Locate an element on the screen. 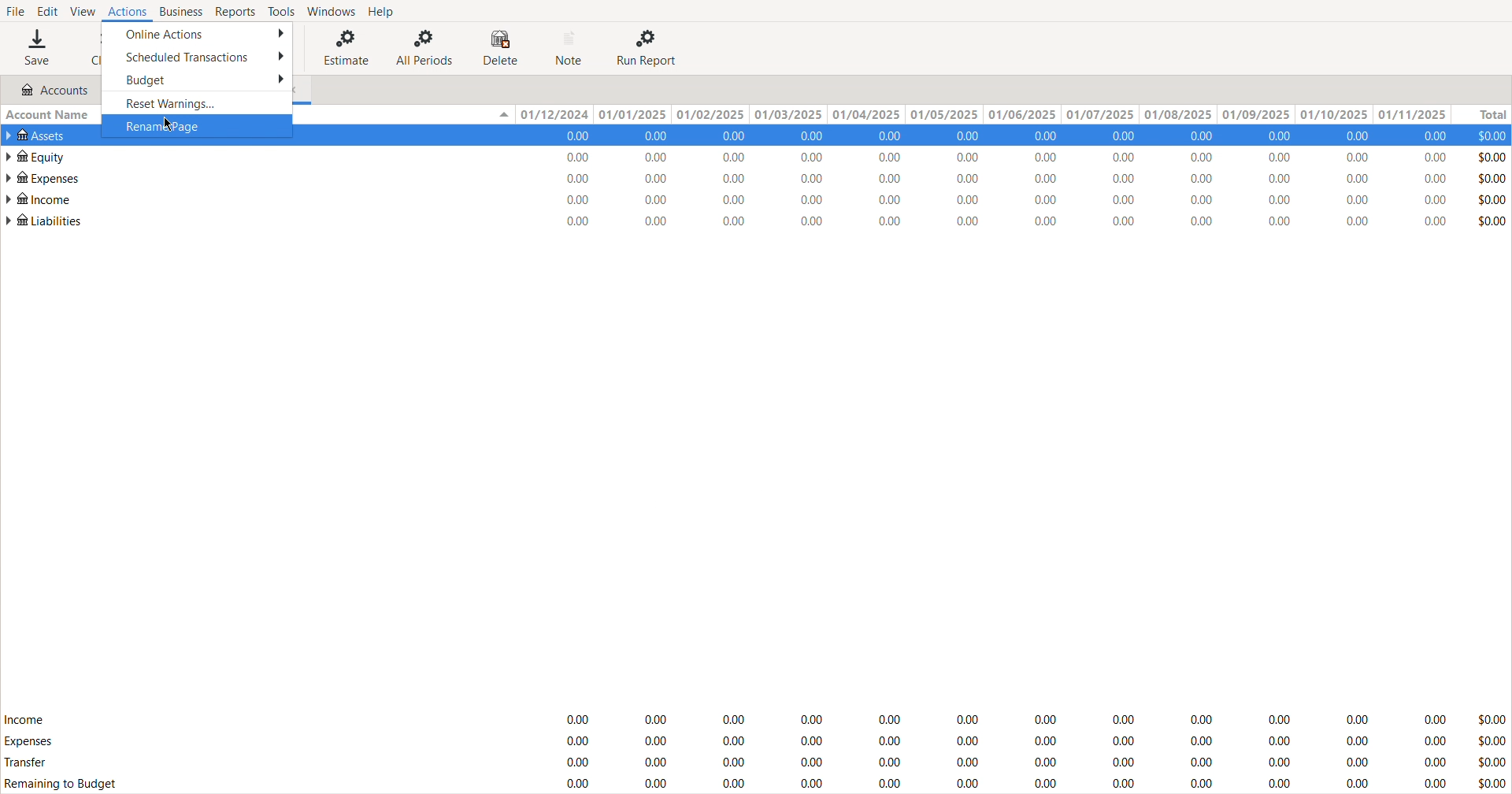 This screenshot has width=1512, height=794. Values is located at coordinates (1031, 748).